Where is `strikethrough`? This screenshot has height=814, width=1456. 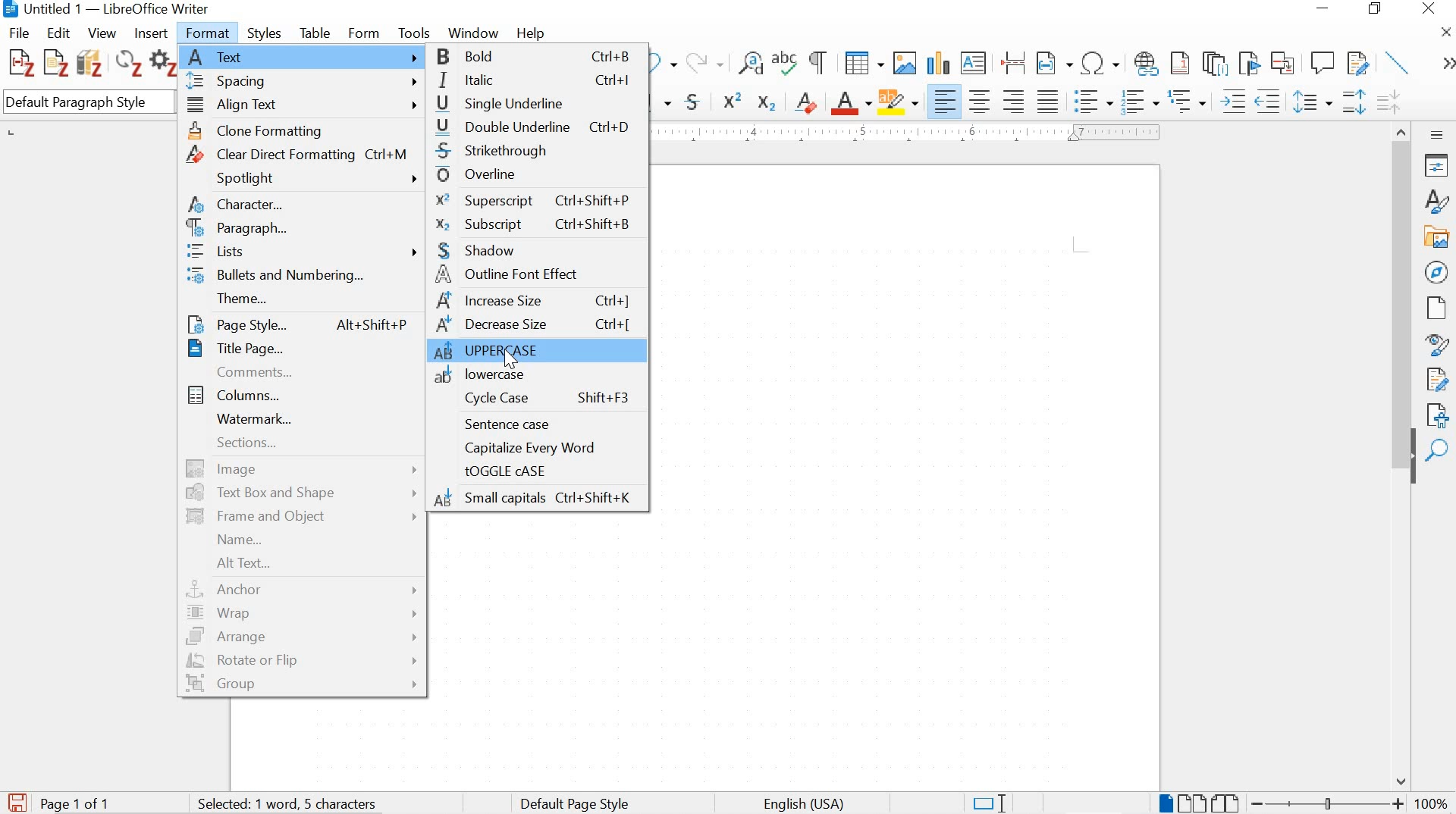
strikethrough is located at coordinates (696, 102).